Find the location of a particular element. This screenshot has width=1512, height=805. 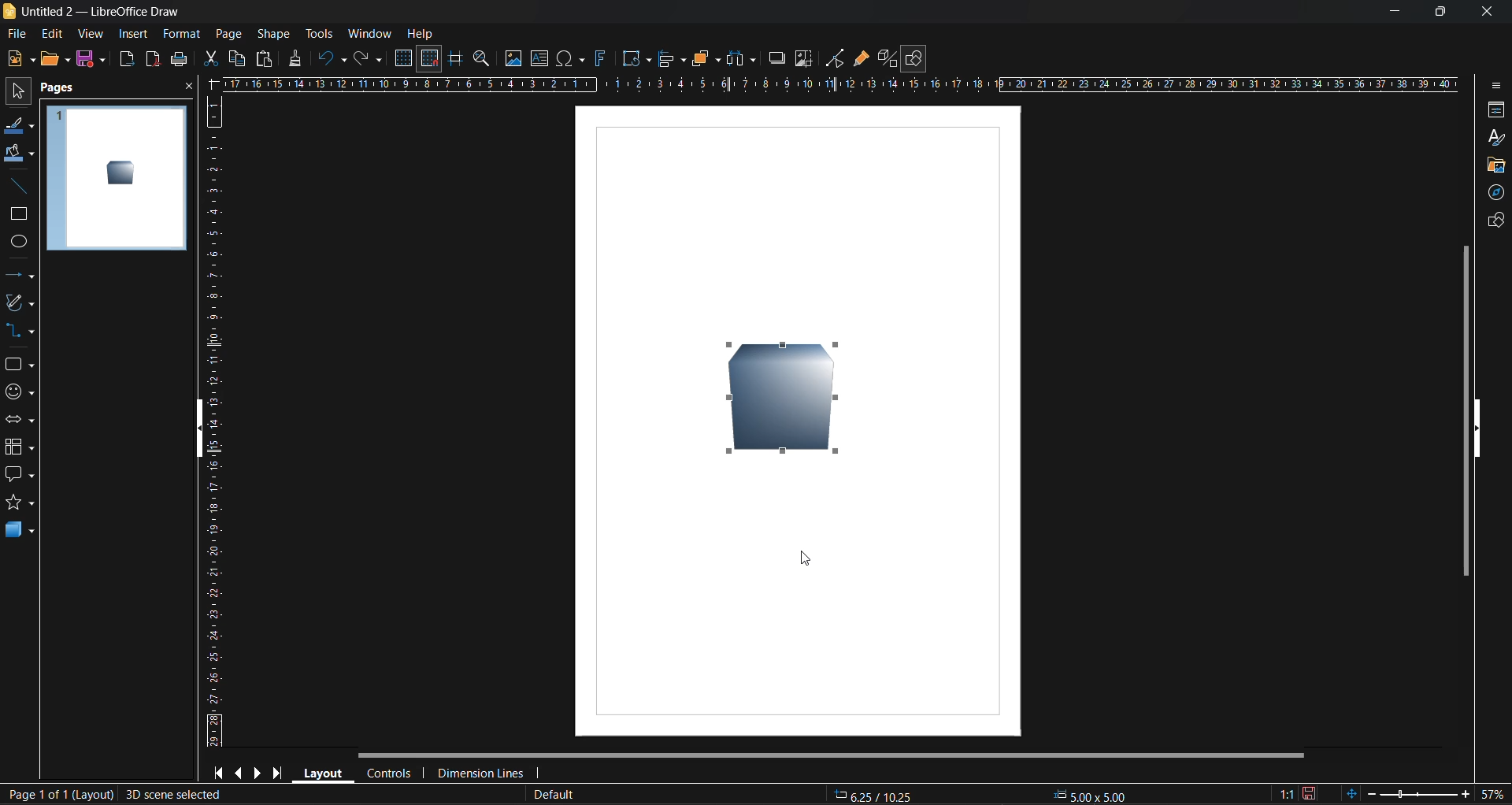

last is located at coordinates (275, 772).